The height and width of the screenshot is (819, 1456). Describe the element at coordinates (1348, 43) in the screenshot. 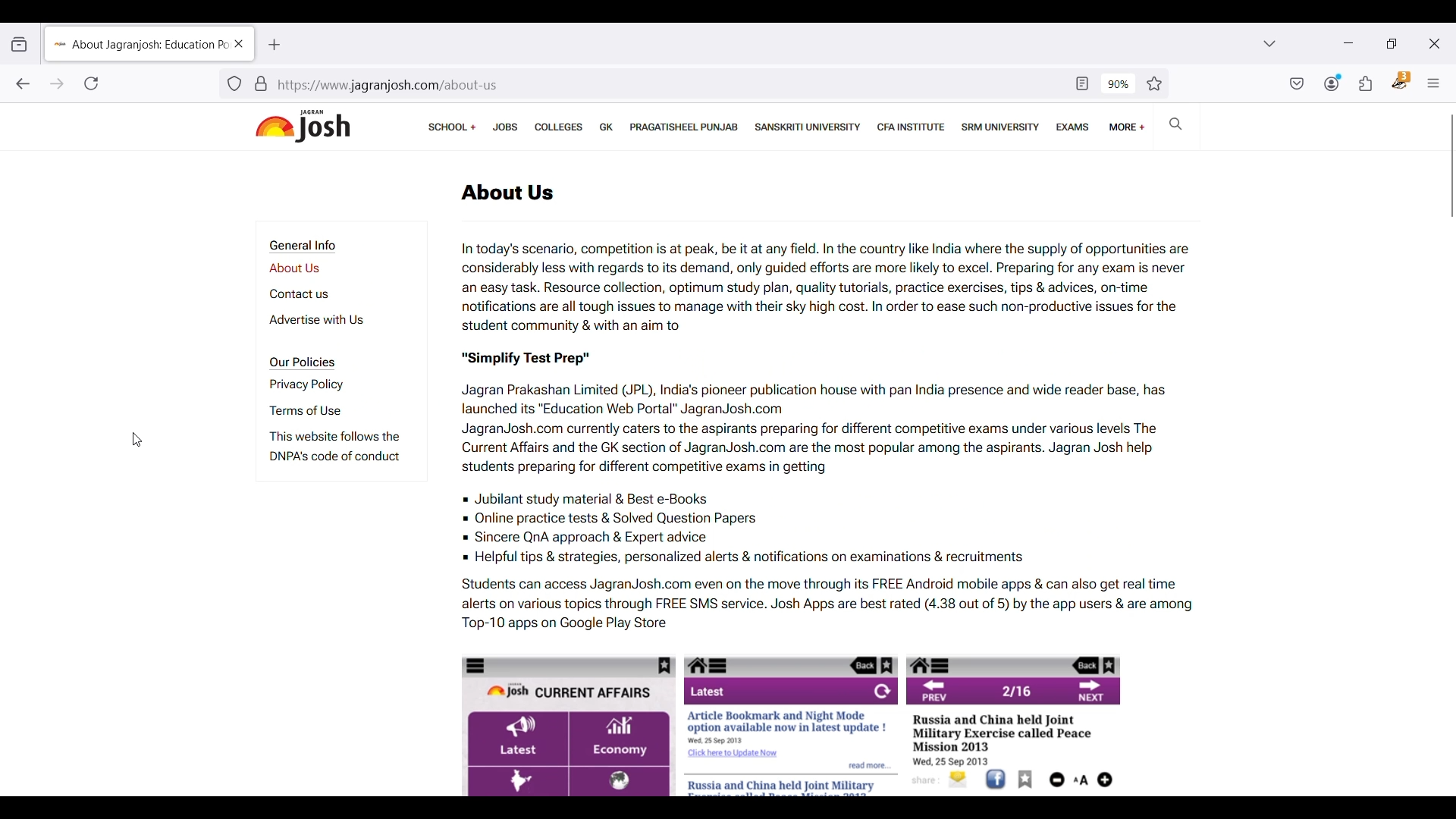

I see `Minimize` at that location.